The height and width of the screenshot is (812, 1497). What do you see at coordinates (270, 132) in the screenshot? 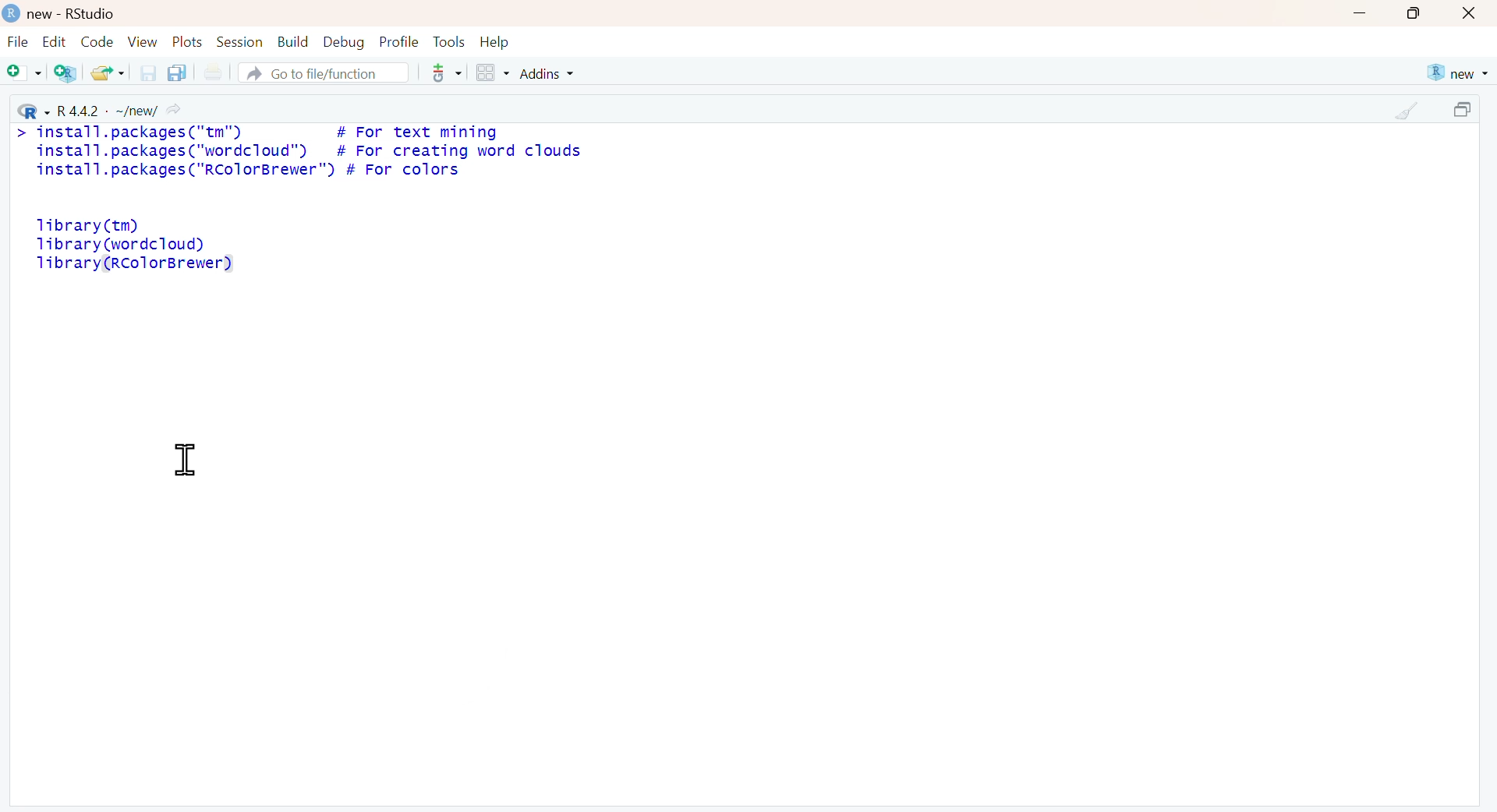
I see `install.packages("tm") # For text mining` at bounding box center [270, 132].